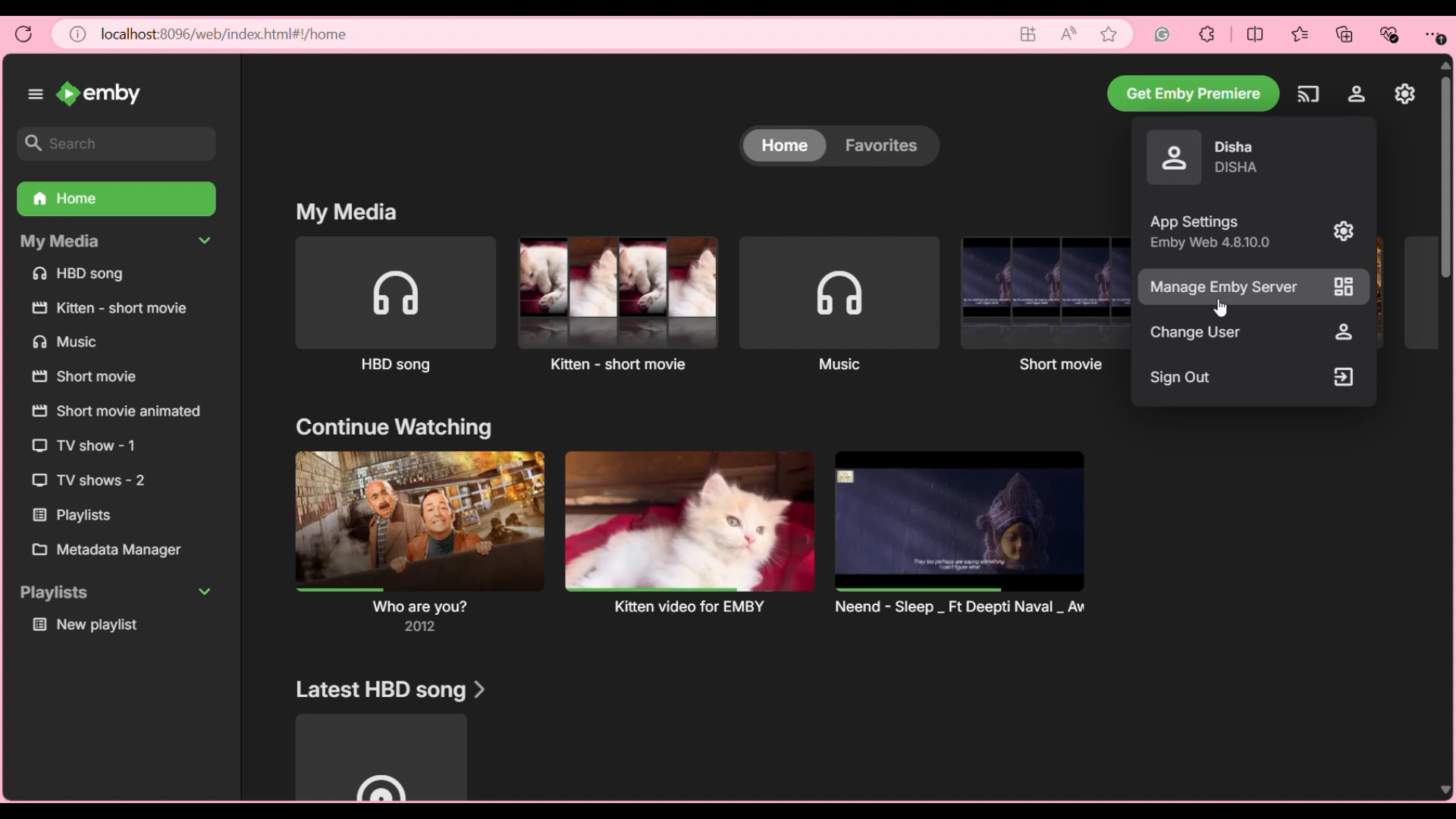  Describe the element at coordinates (1357, 93) in the screenshot. I see `Settings` at that location.